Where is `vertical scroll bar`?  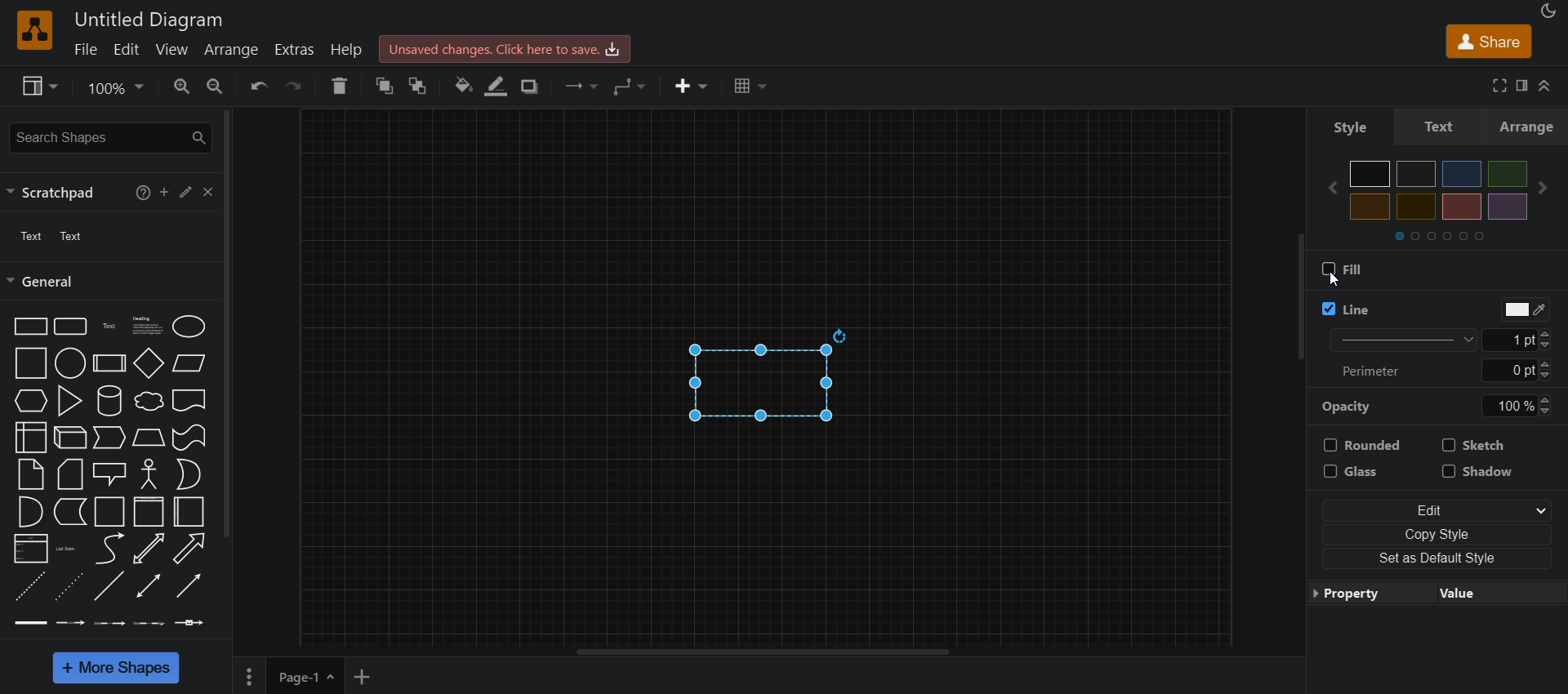 vertical scroll bar is located at coordinates (233, 324).